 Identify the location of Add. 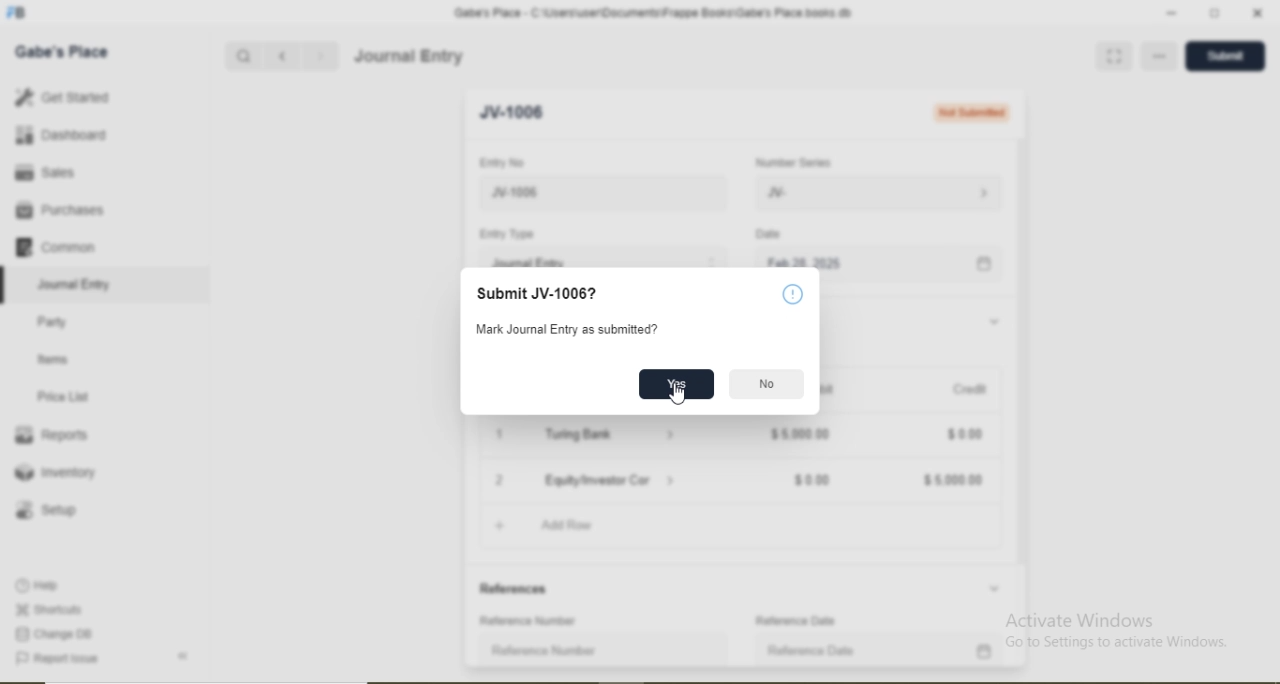
(500, 526).